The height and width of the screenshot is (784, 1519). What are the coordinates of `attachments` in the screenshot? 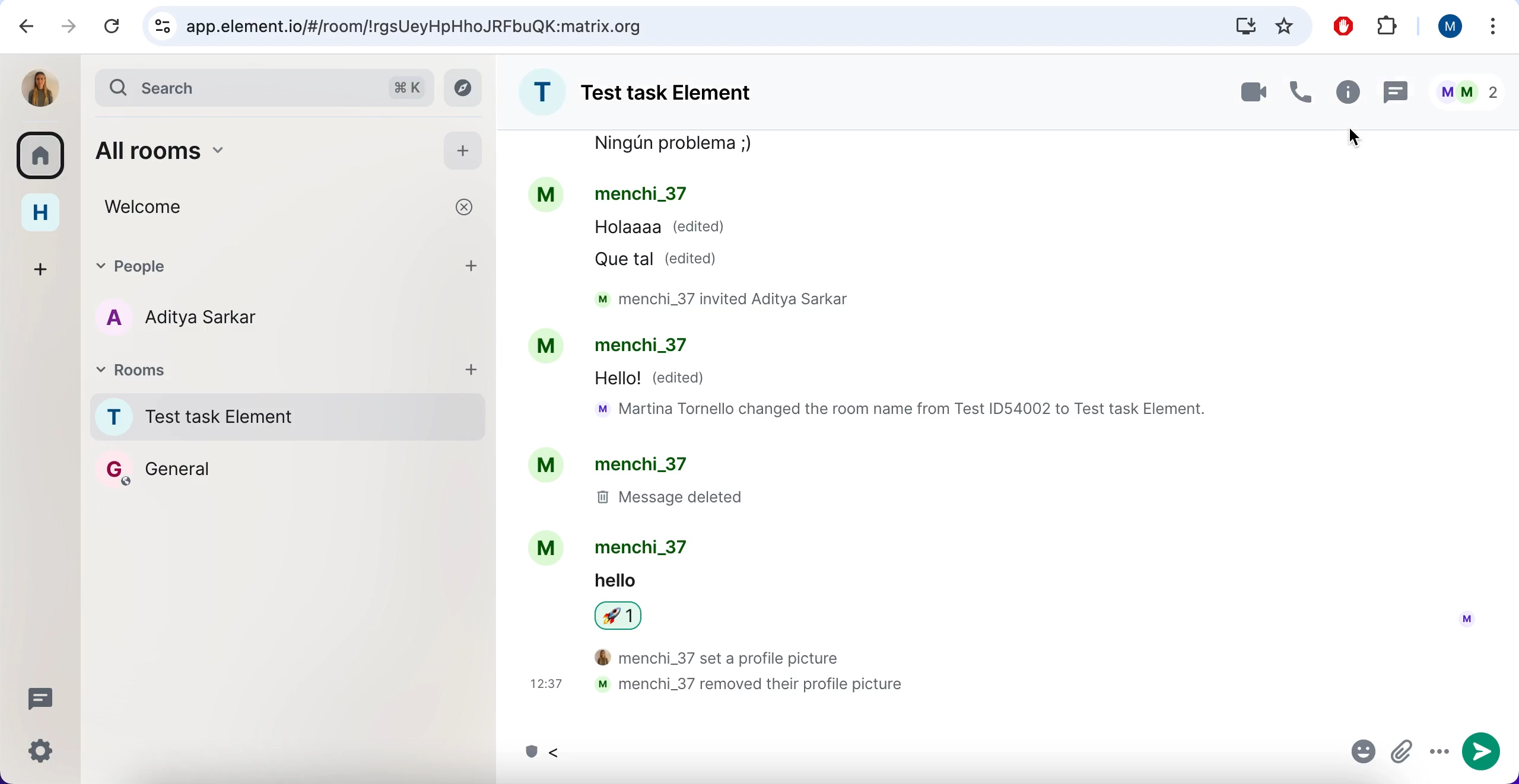 It's located at (1403, 753).